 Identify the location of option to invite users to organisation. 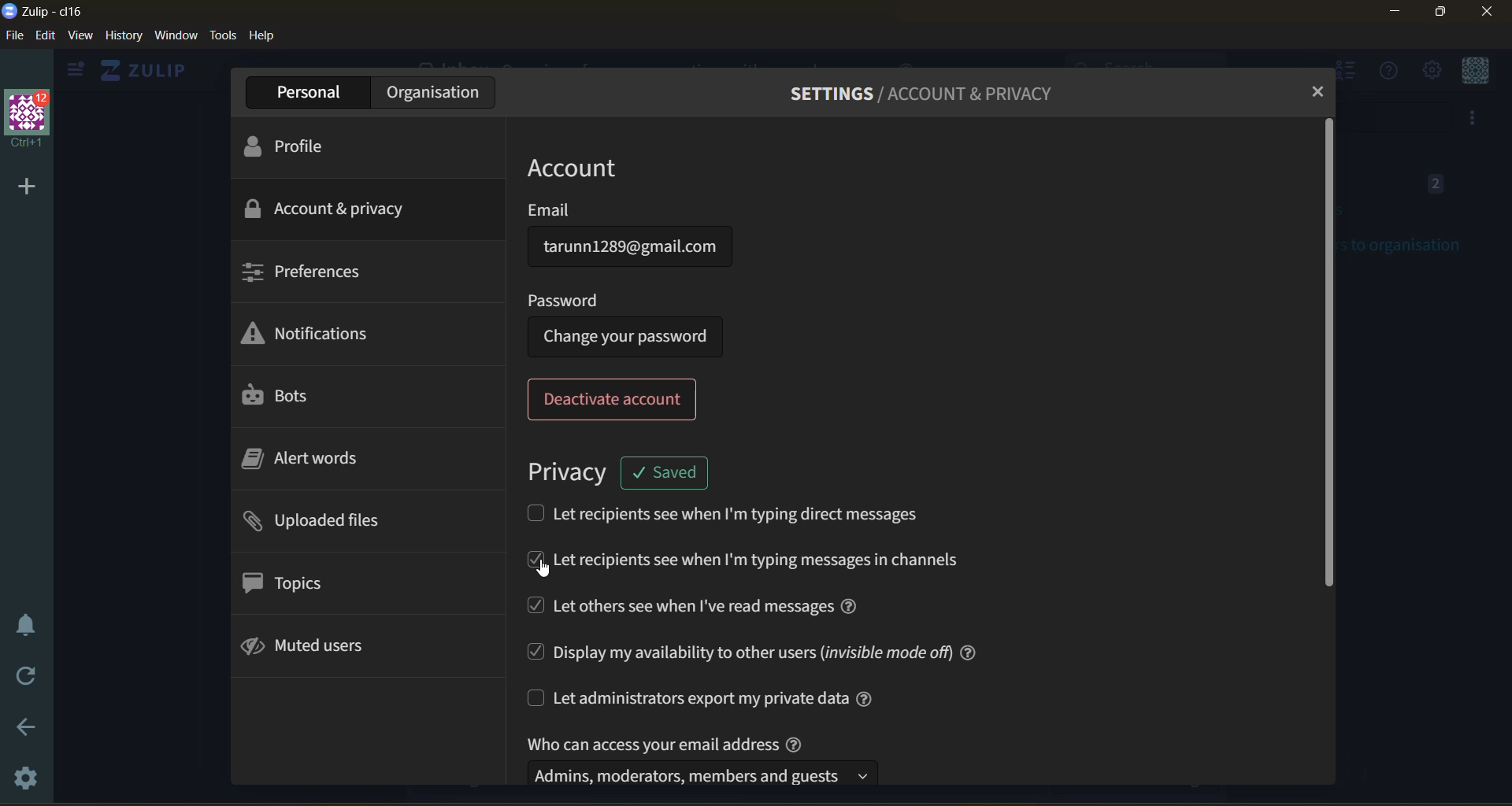
(1474, 120).